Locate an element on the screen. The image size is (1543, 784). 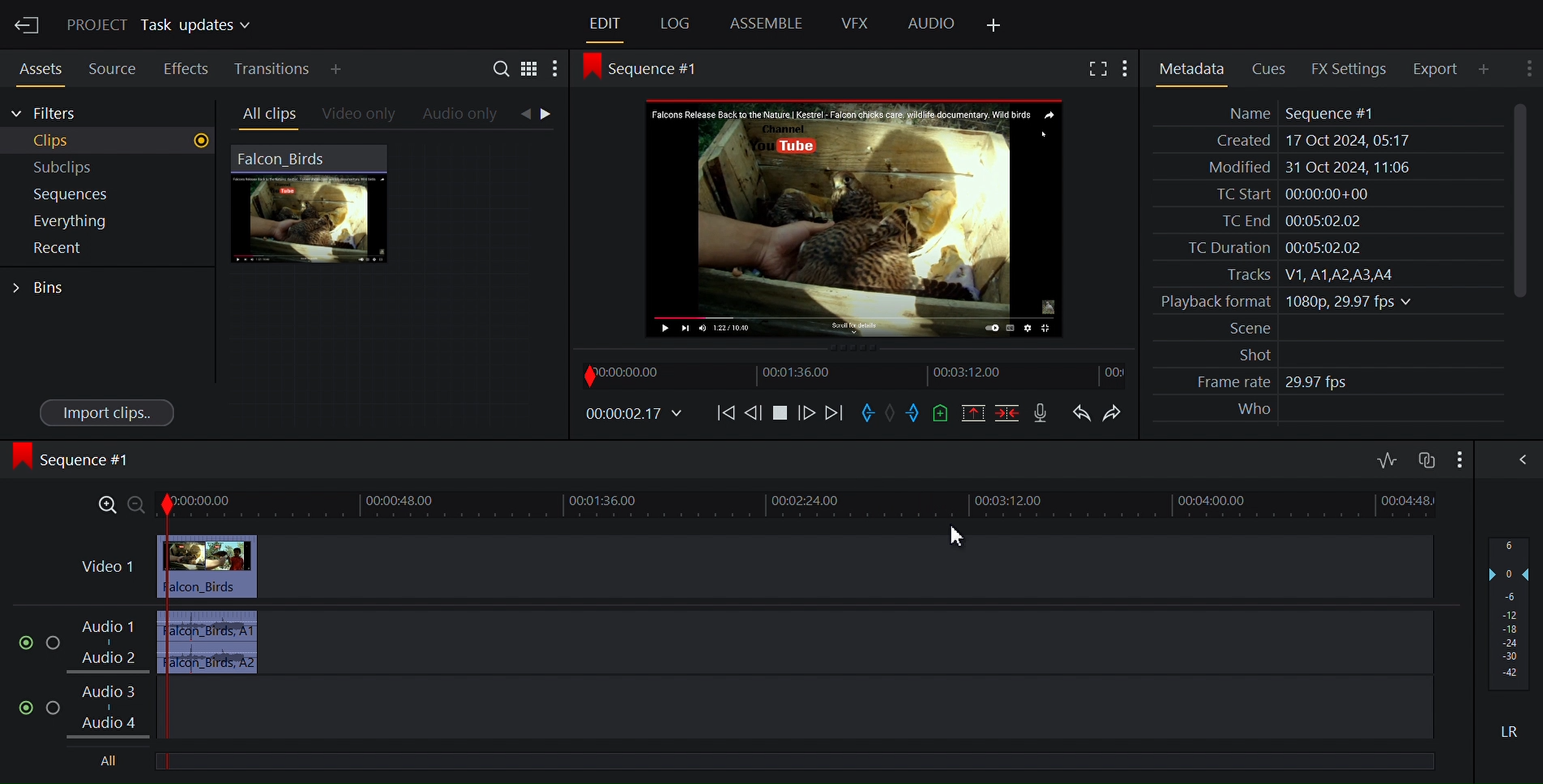
Clear marks is located at coordinates (890, 415).